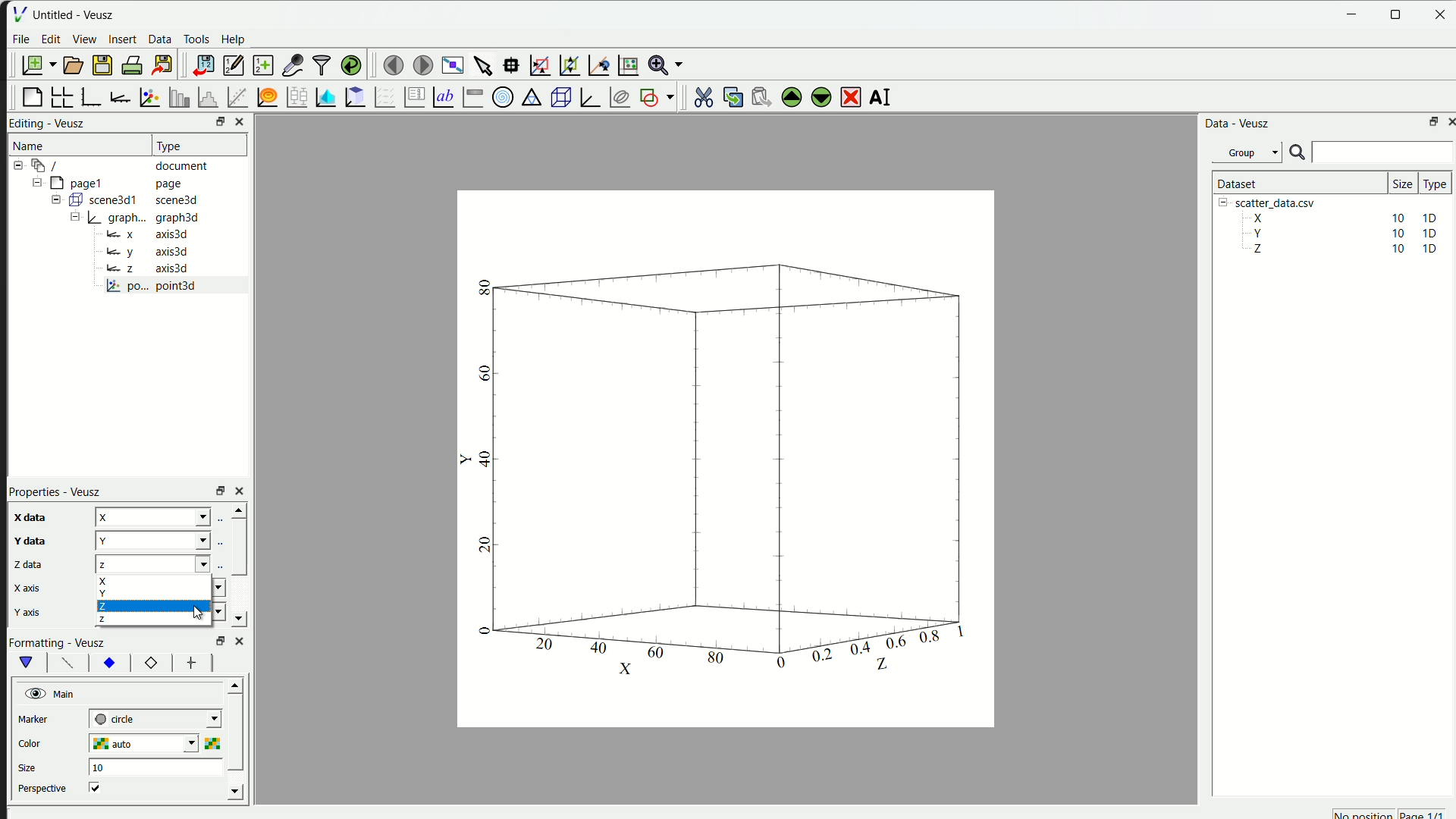 This screenshot has height=819, width=1456. What do you see at coordinates (155, 234) in the screenshot?
I see `= x axis3d` at bounding box center [155, 234].